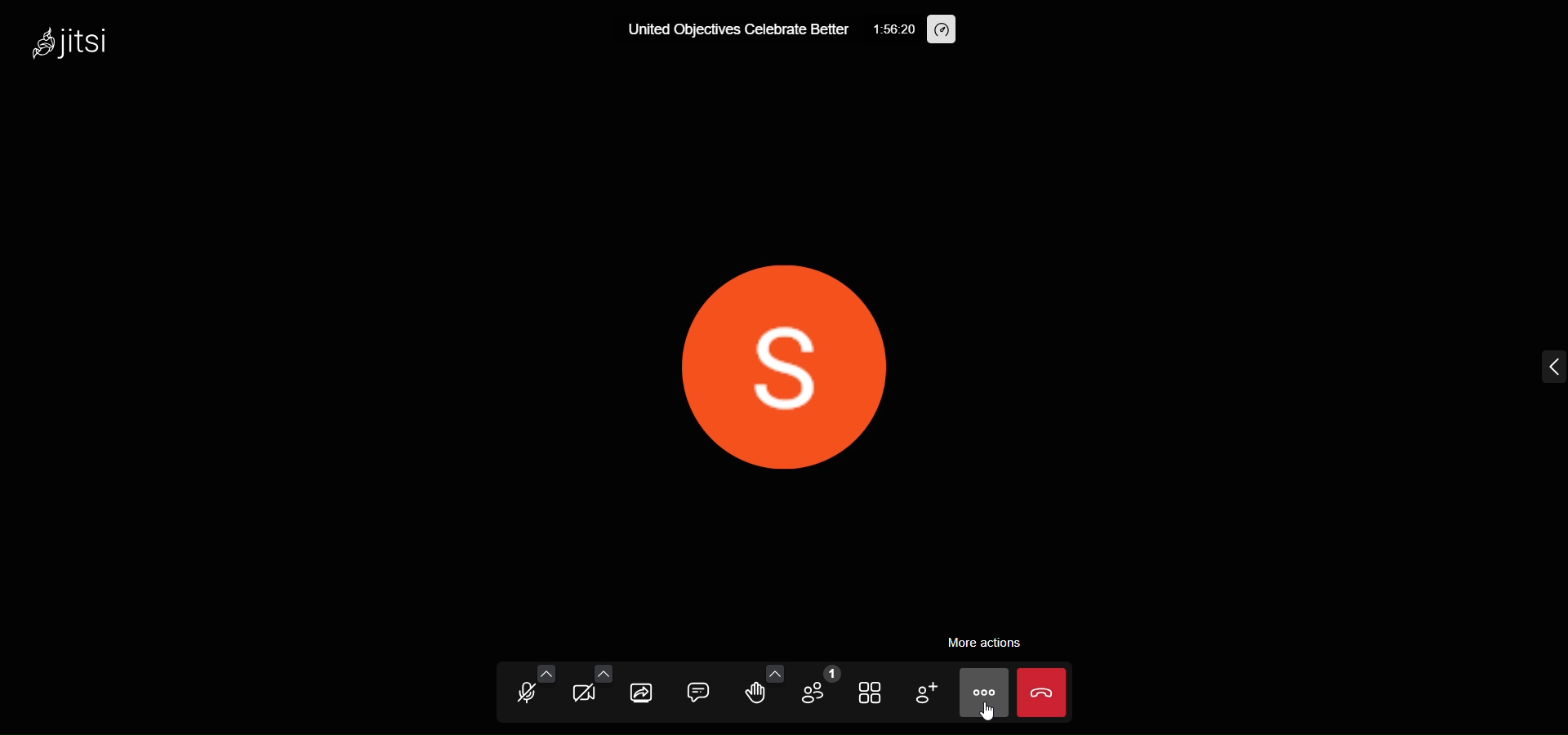  I want to click on jitsi, so click(83, 46).